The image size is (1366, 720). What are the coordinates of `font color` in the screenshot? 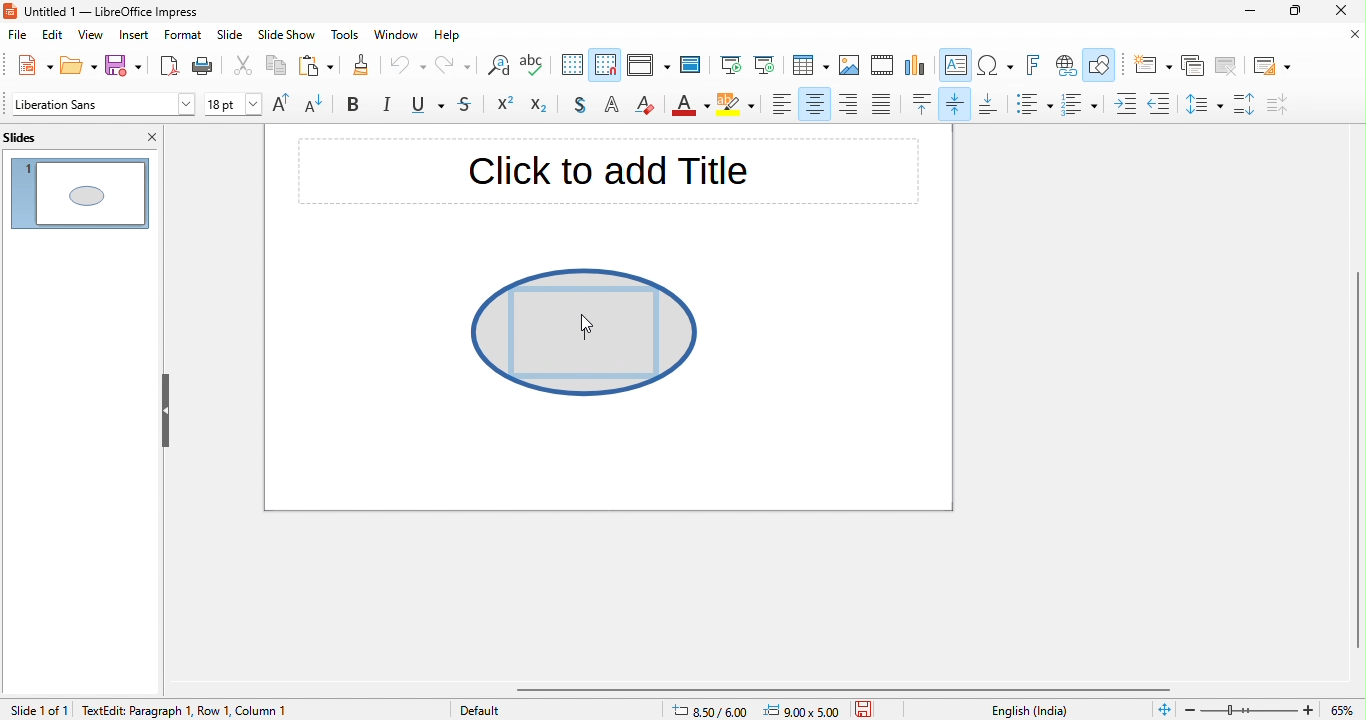 It's located at (691, 107).